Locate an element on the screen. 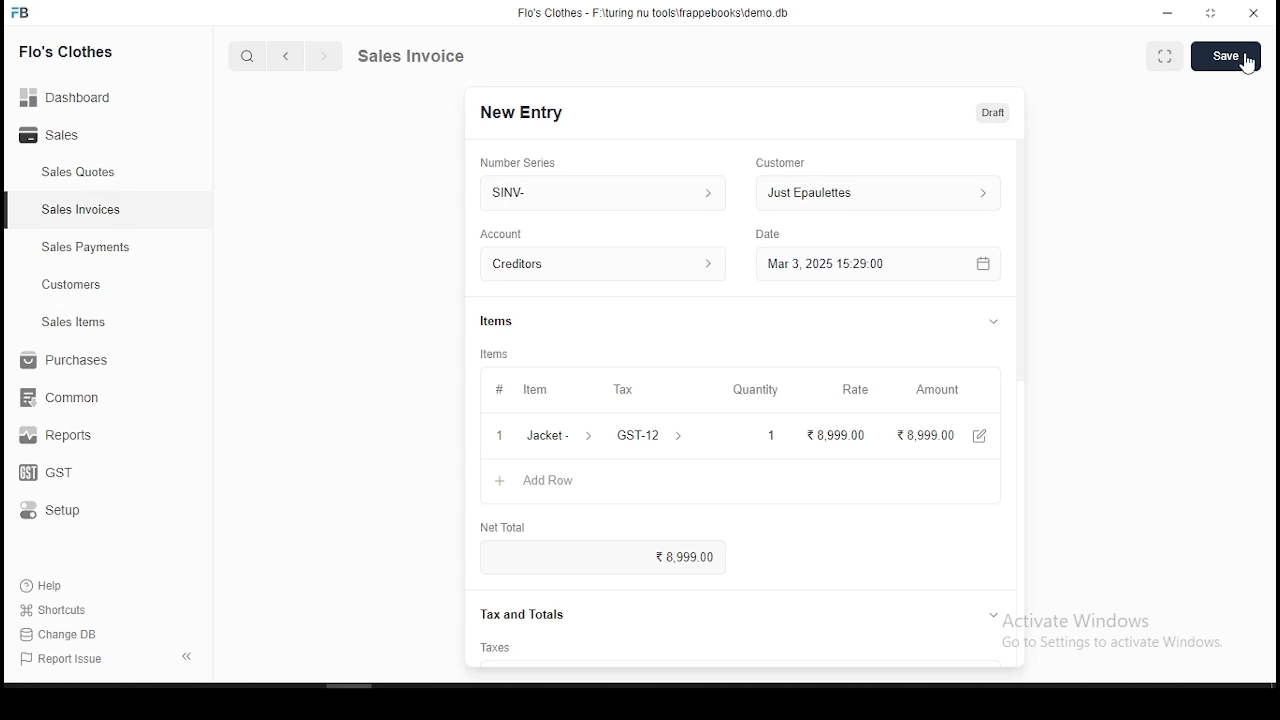  taxes is located at coordinates (502, 645).